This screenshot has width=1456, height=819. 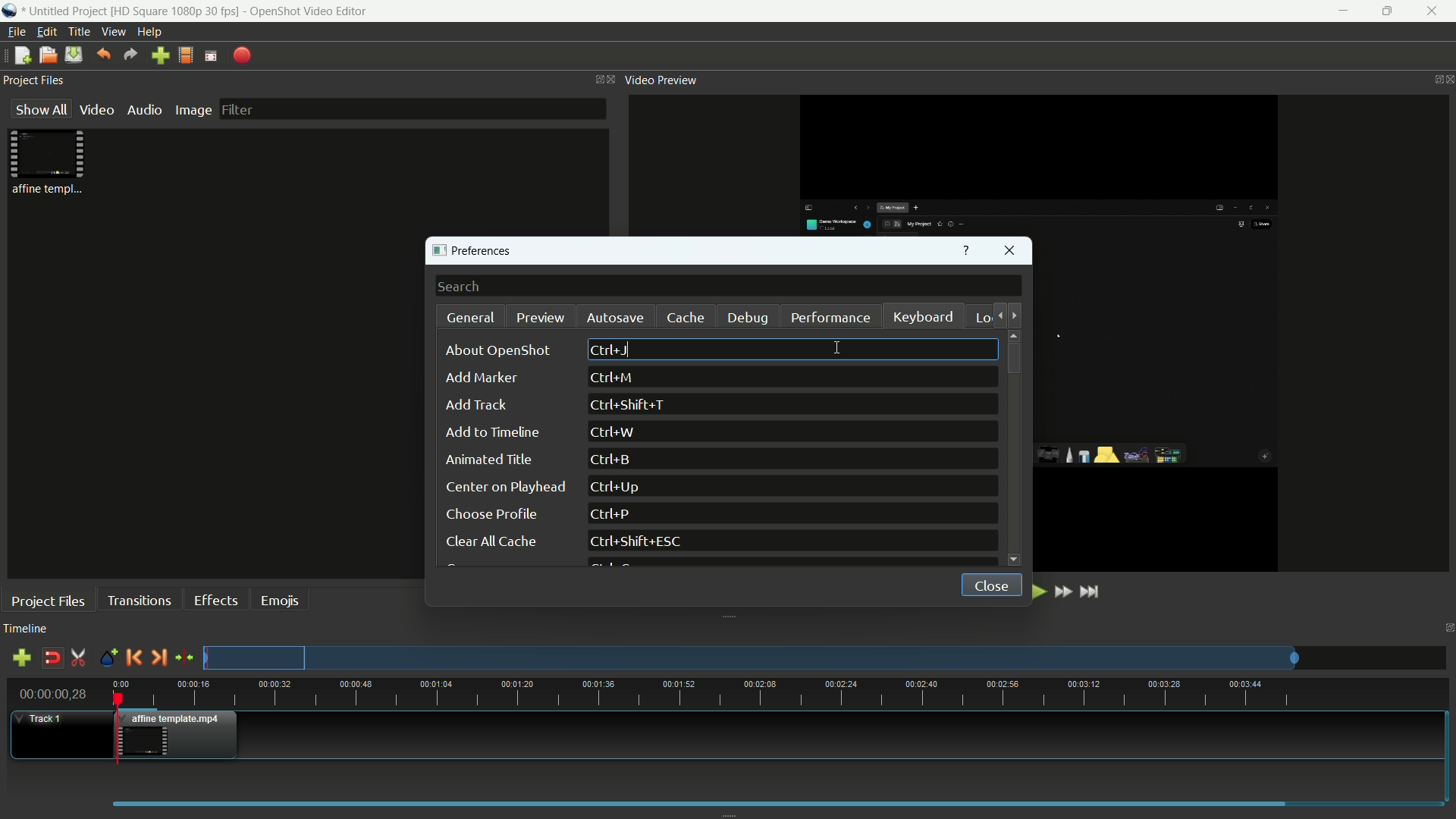 I want to click on general, so click(x=472, y=318).